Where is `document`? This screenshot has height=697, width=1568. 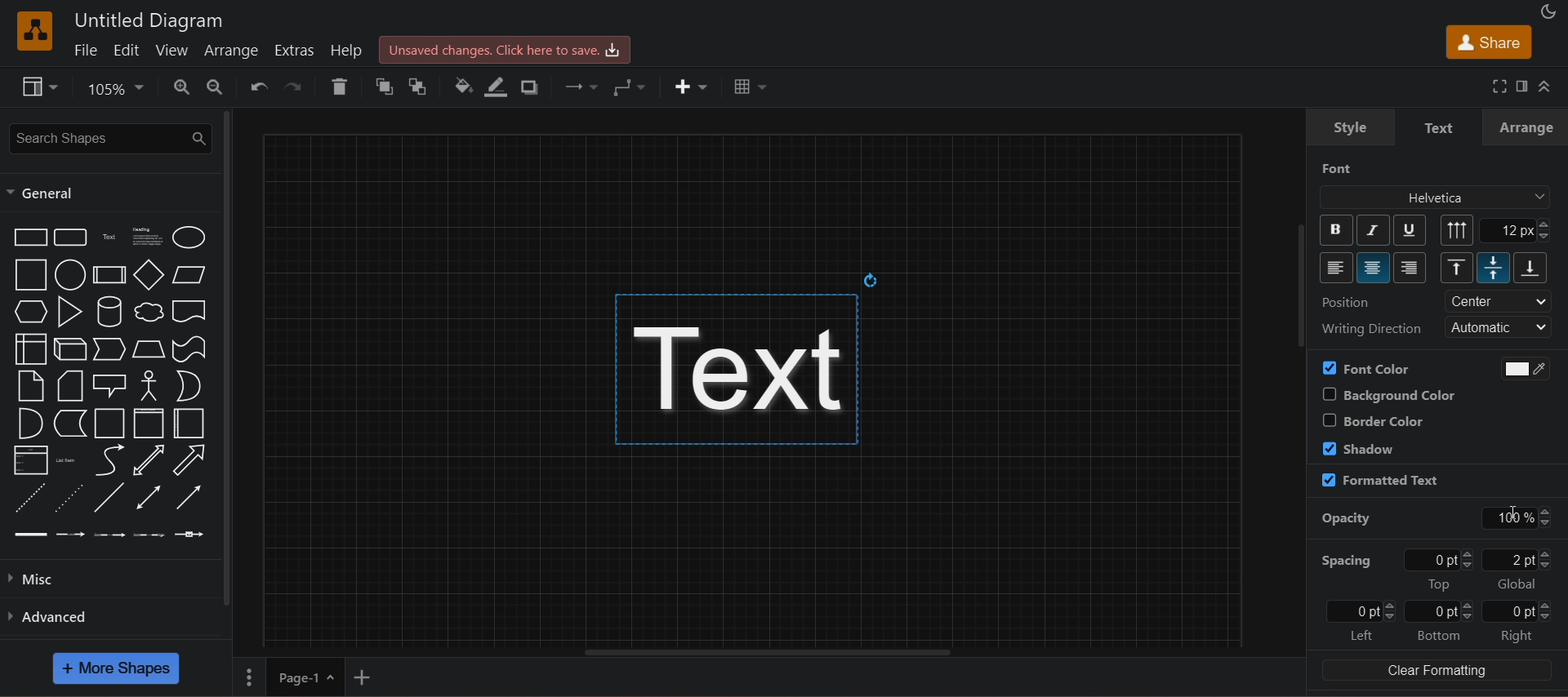
document is located at coordinates (189, 311).